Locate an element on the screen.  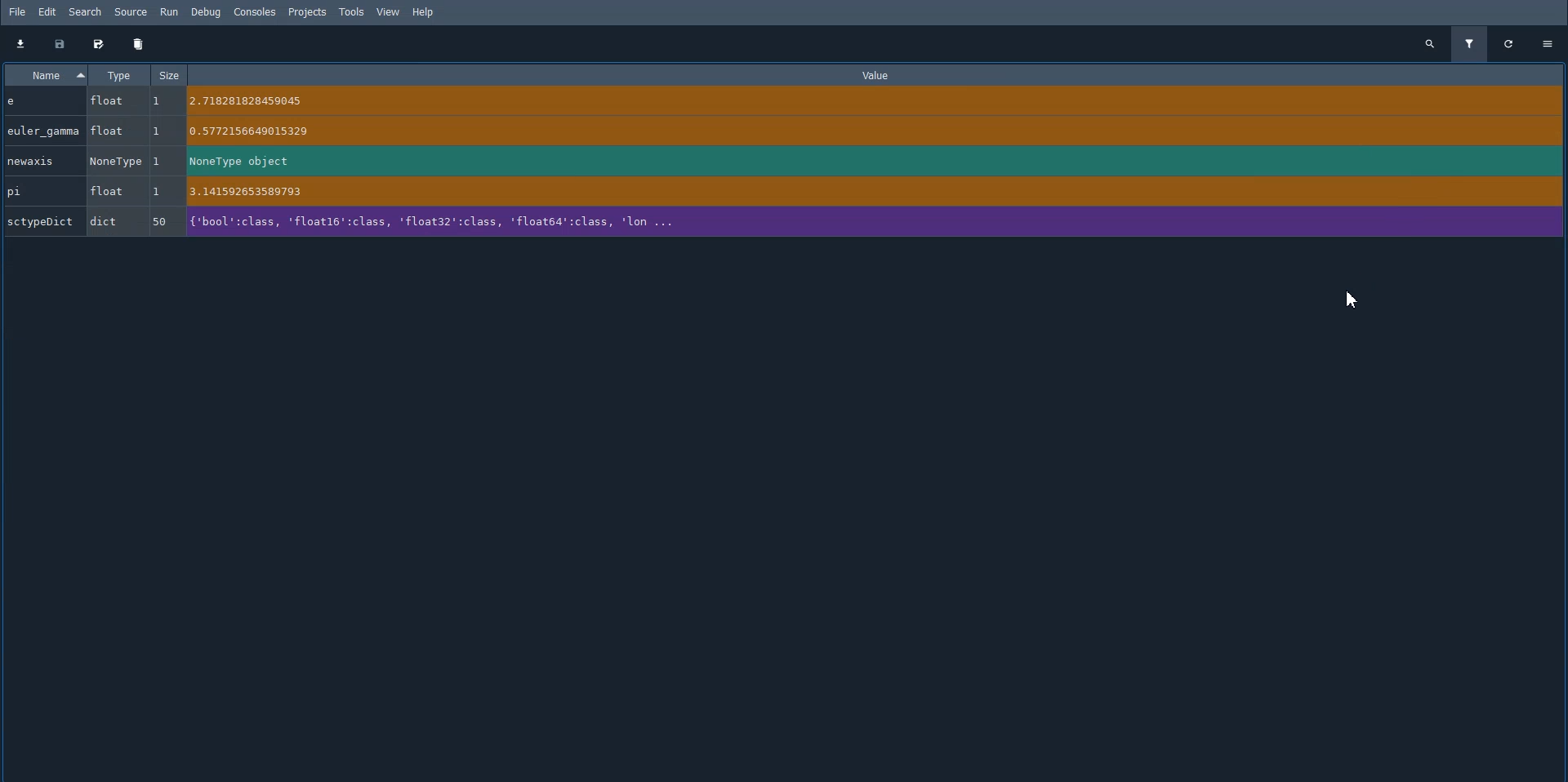
| 3.141592653589793 is located at coordinates (853, 191).